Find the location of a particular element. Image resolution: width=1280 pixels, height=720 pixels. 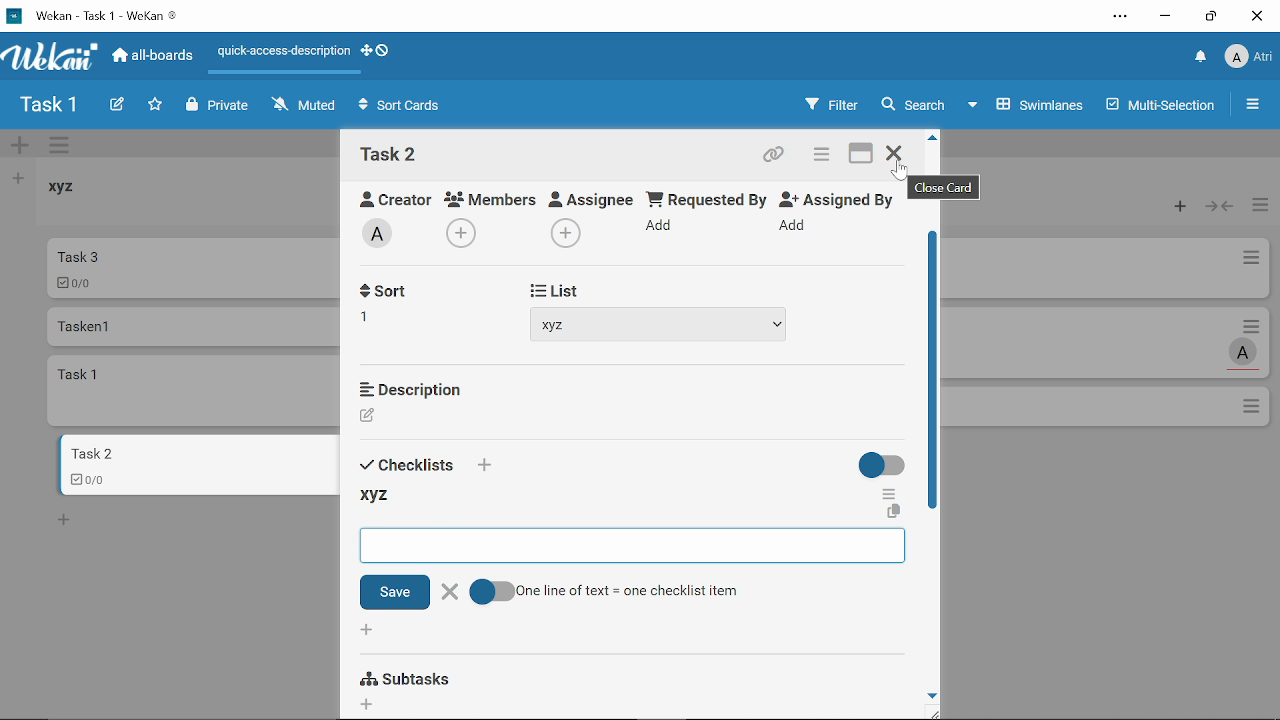

Manage swimlane is located at coordinates (61, 147).